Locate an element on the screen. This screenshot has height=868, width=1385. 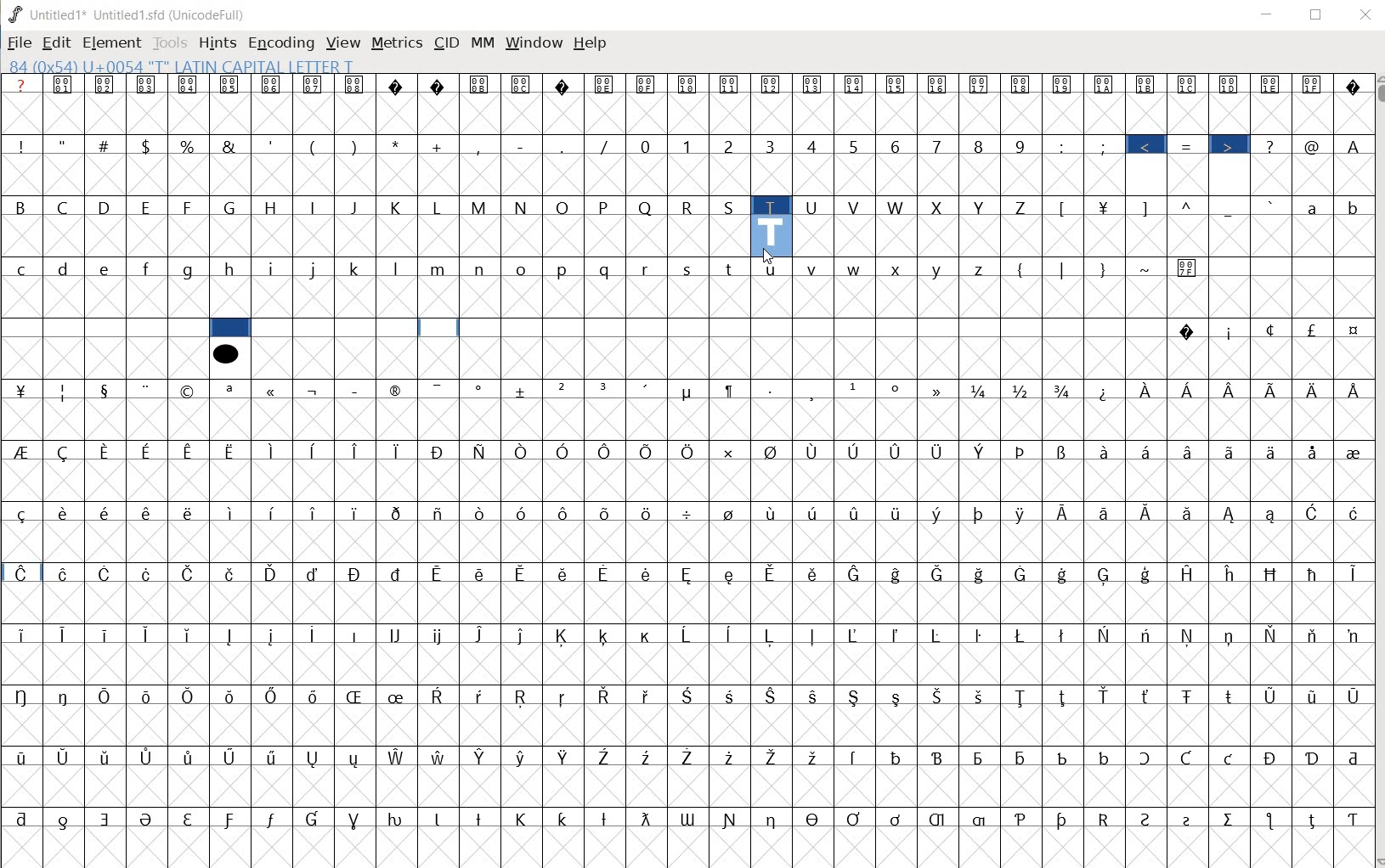
Symbol is located at coordinates (1314, 389).